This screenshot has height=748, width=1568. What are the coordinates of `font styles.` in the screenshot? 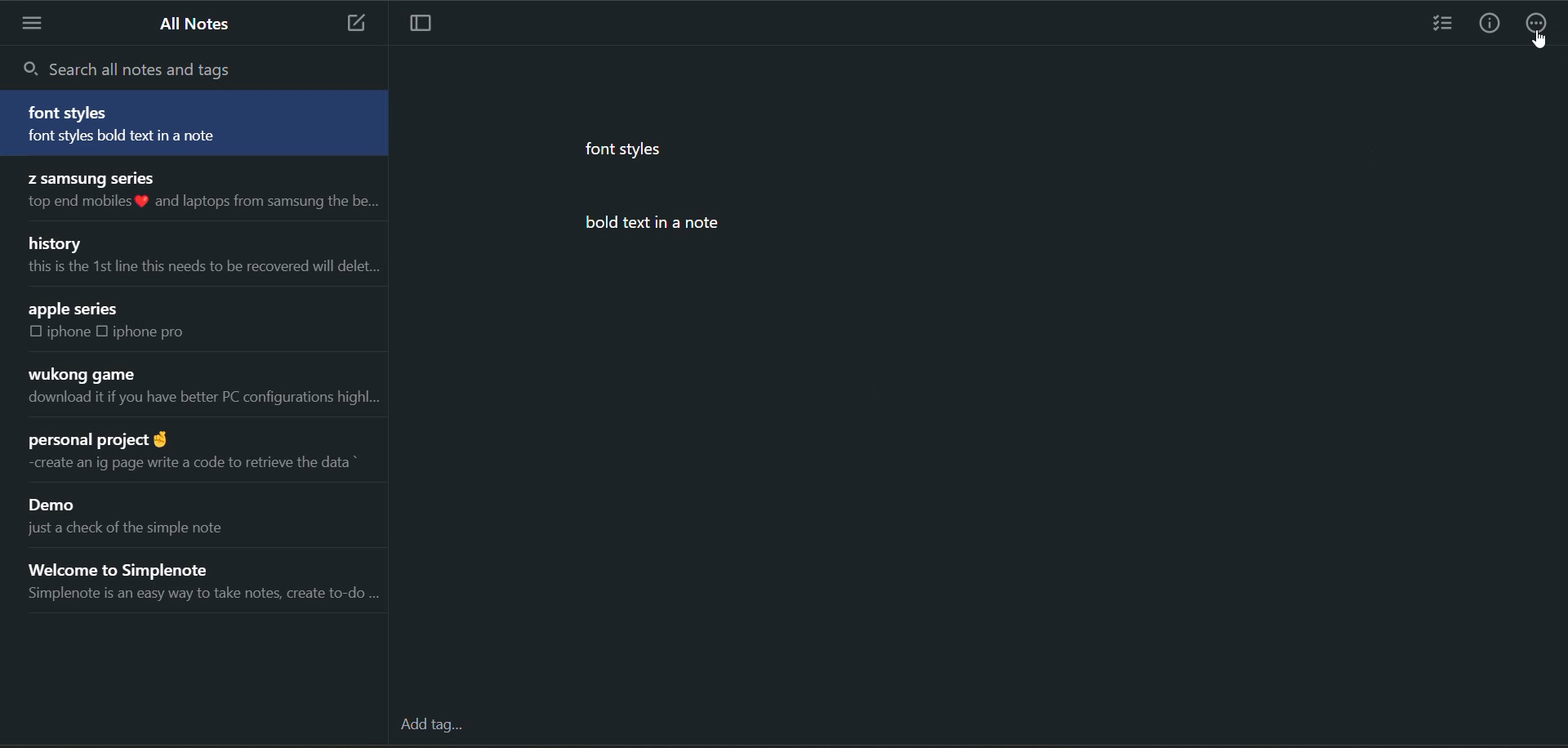 It's located at (628, 148).